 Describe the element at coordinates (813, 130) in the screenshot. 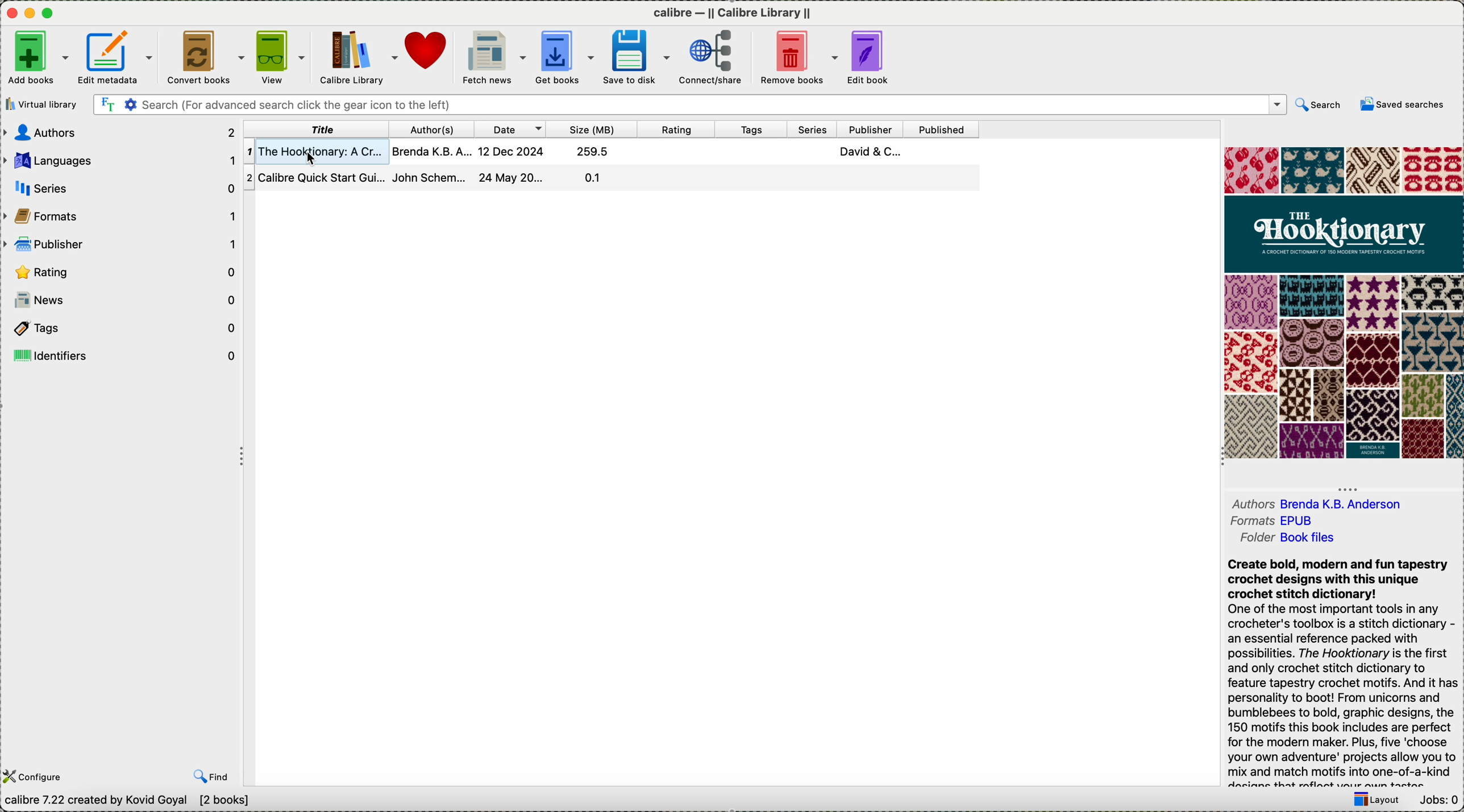

I see `series` at that location.